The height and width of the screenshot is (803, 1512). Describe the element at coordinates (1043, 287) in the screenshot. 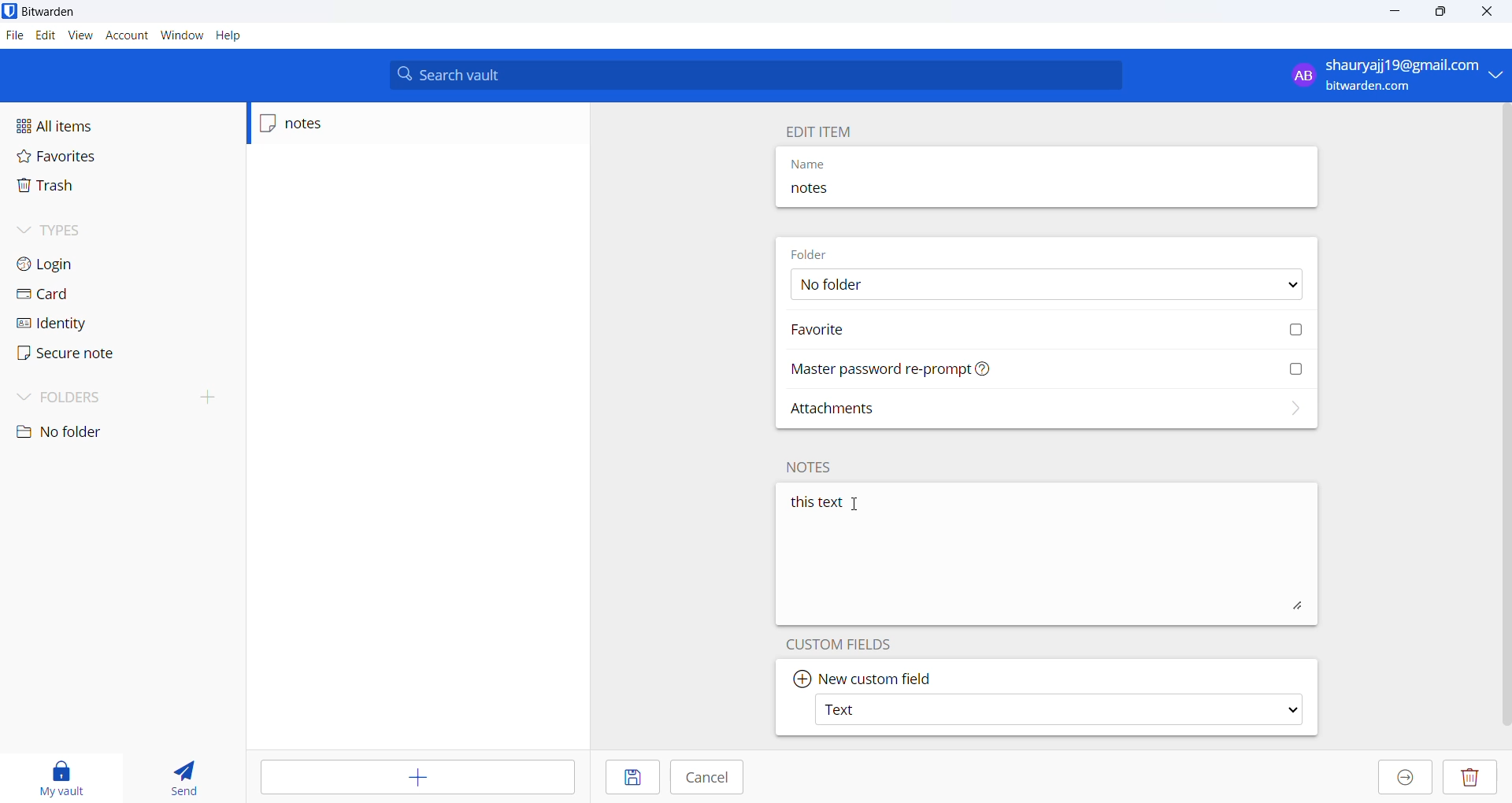

I see `No folder` at that location.